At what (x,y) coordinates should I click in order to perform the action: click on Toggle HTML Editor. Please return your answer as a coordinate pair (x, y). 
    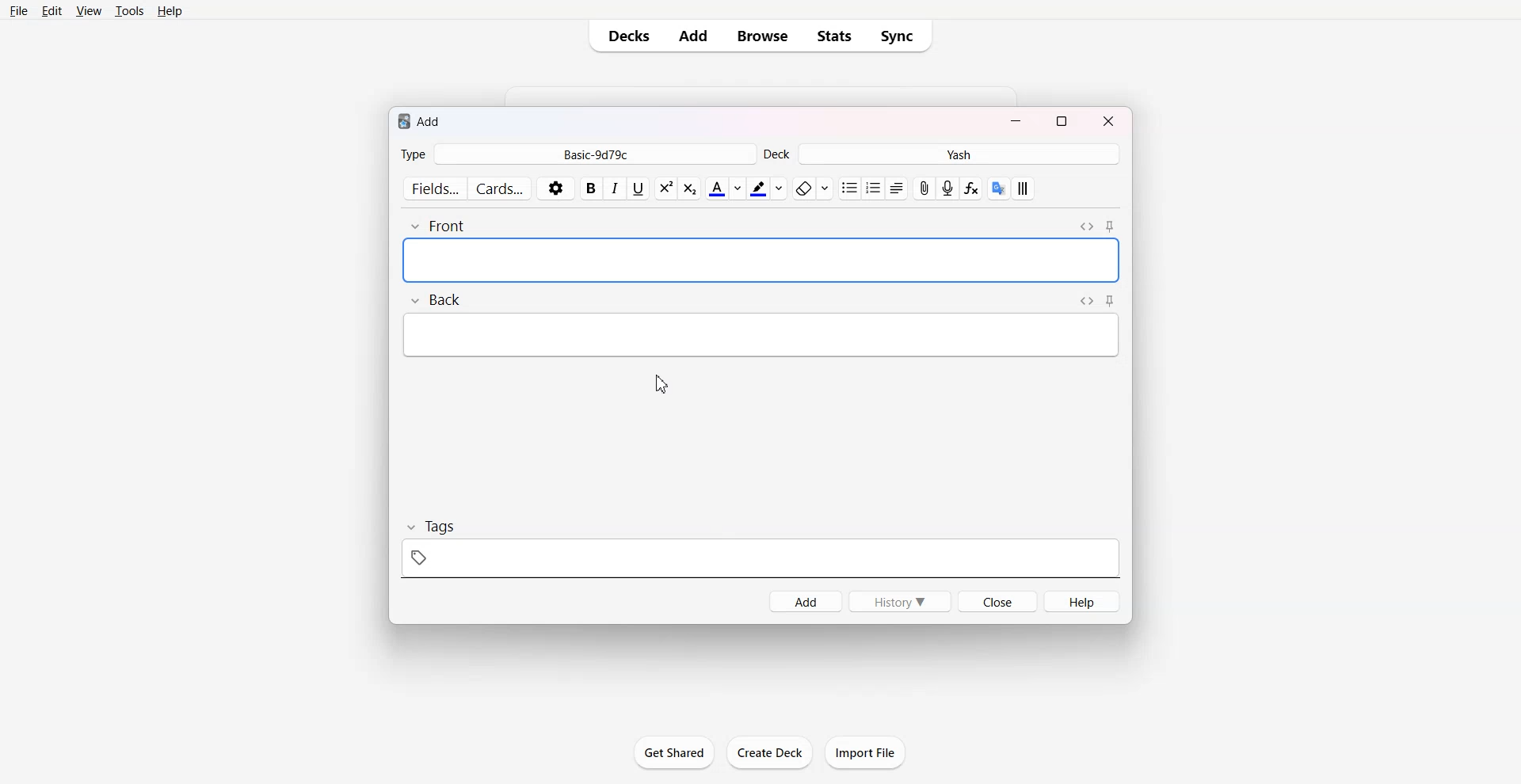
    Looking at the image, I should click on (1086, 301).